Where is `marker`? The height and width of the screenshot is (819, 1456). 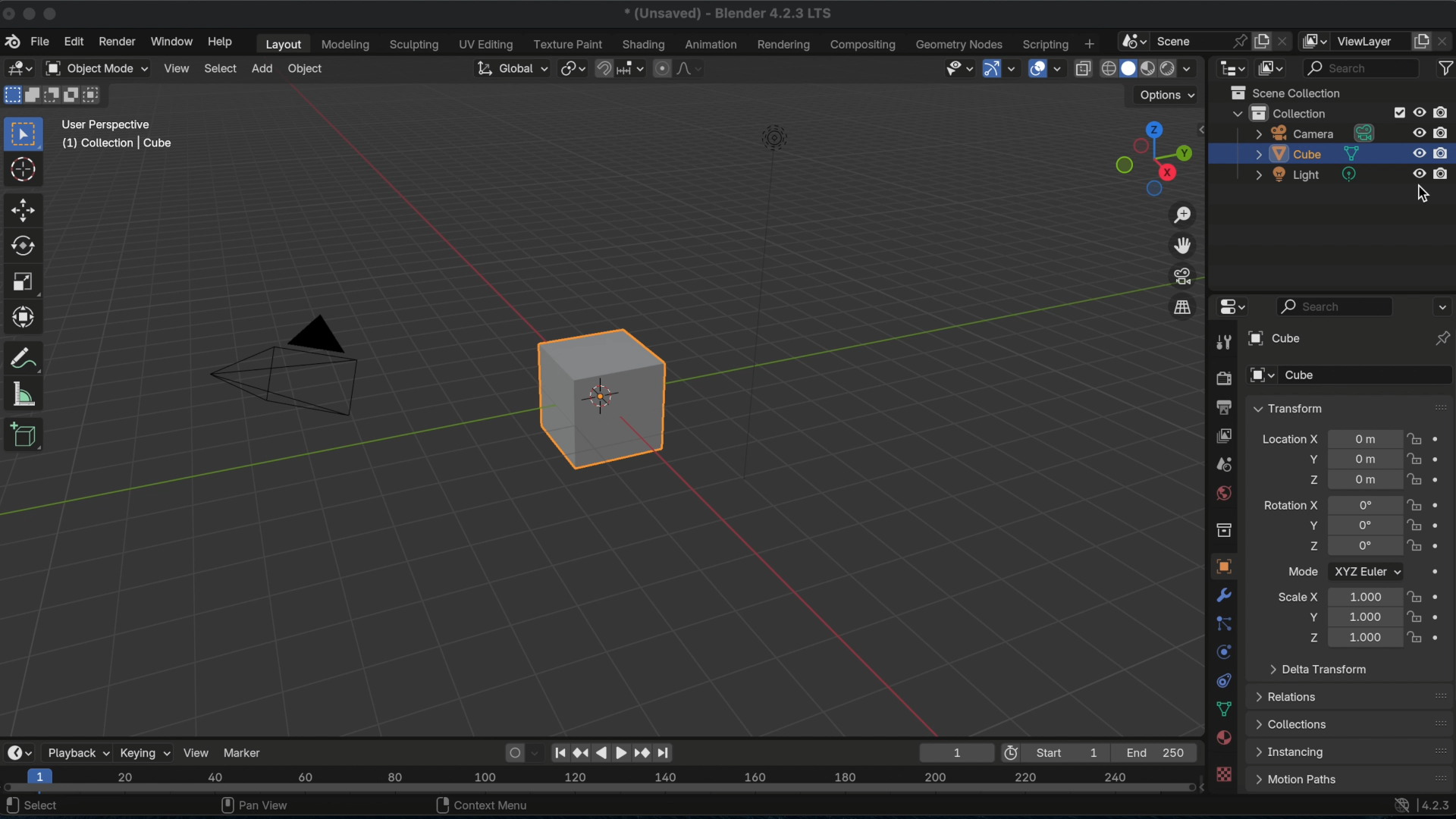
marker is located at coordinates (244, 752).